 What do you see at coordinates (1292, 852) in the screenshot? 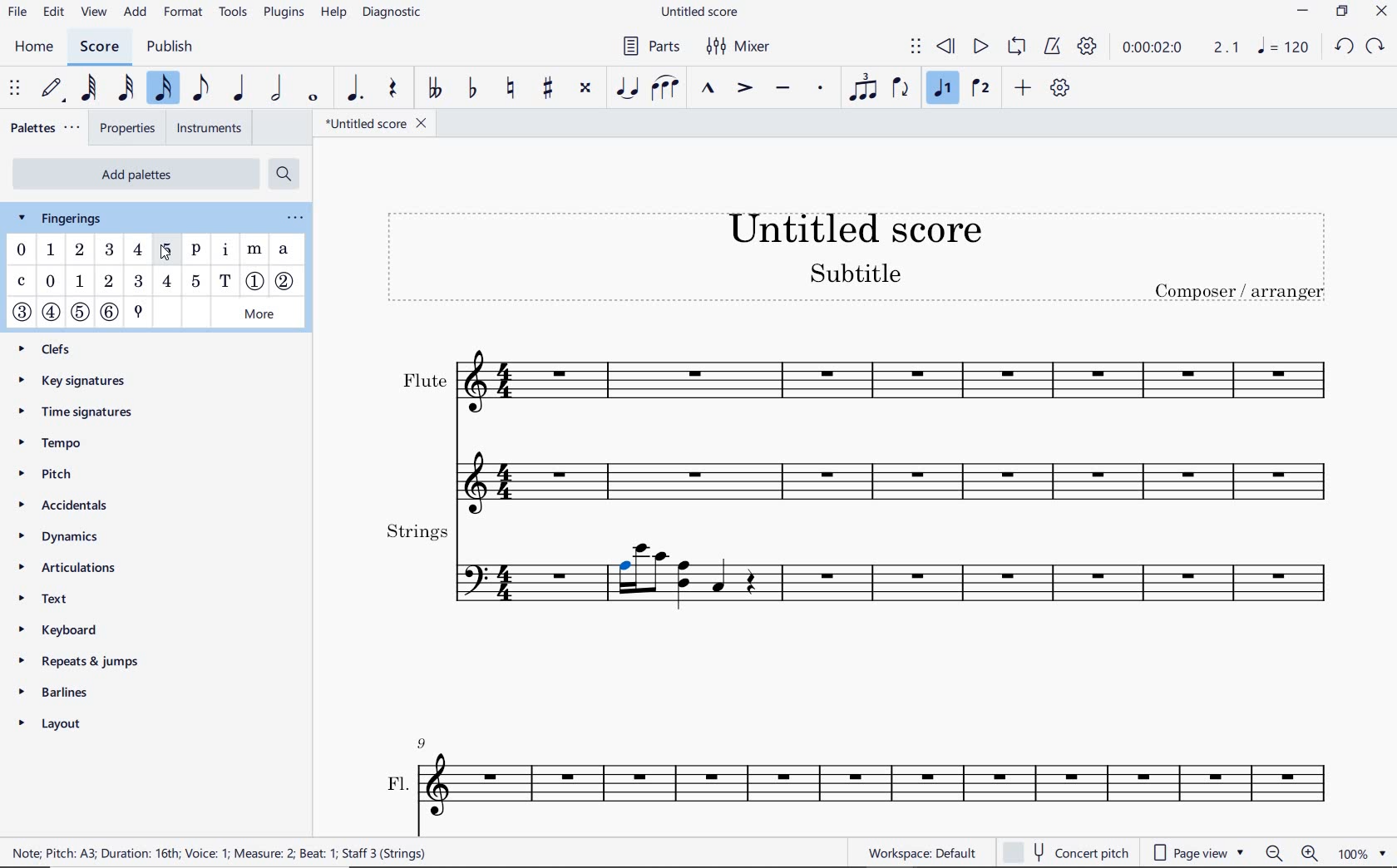
I see `zoom out or zoom in` at bounding box center [1292, 852].